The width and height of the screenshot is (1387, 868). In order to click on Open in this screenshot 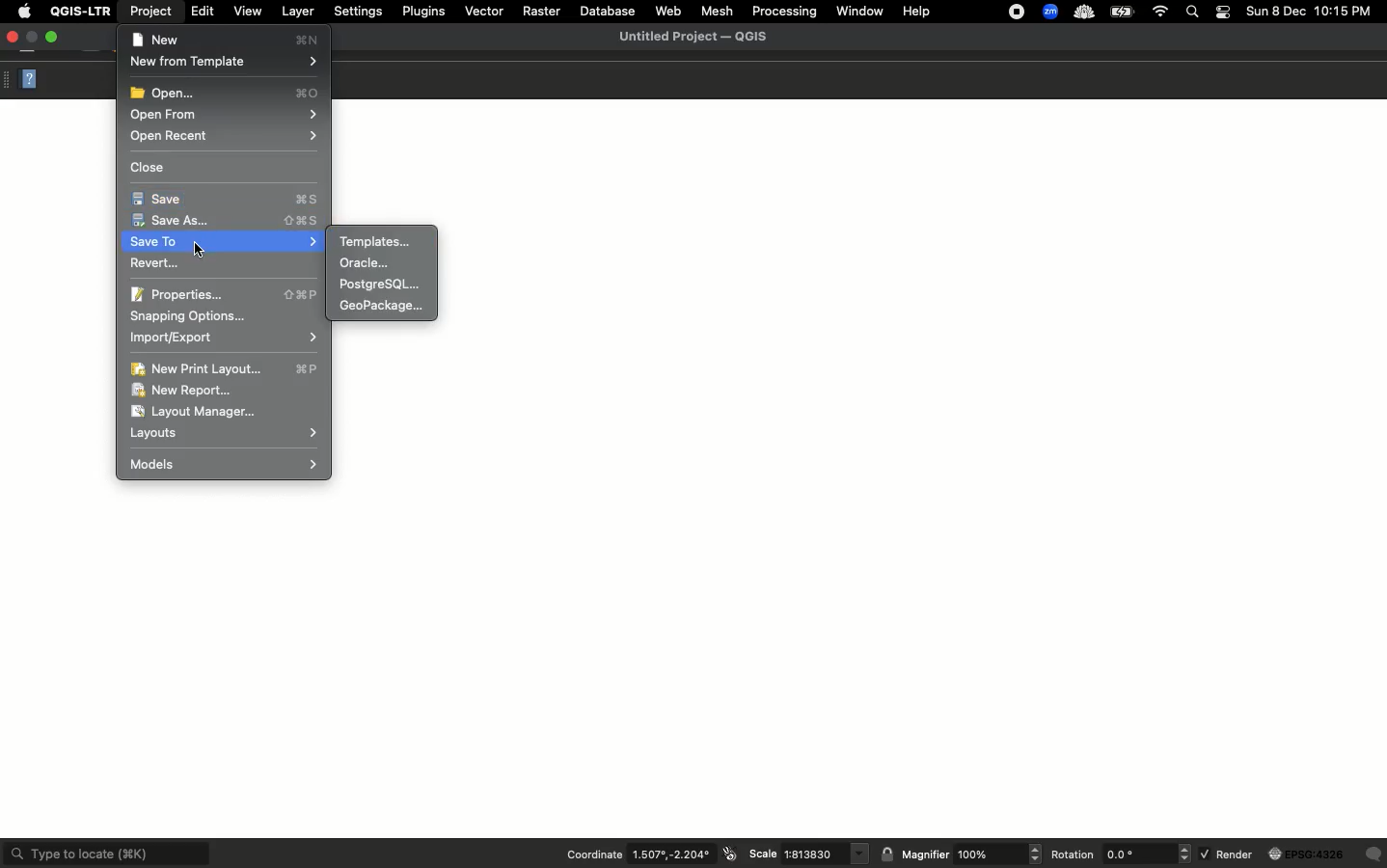, I will do `click(227, 94)`.